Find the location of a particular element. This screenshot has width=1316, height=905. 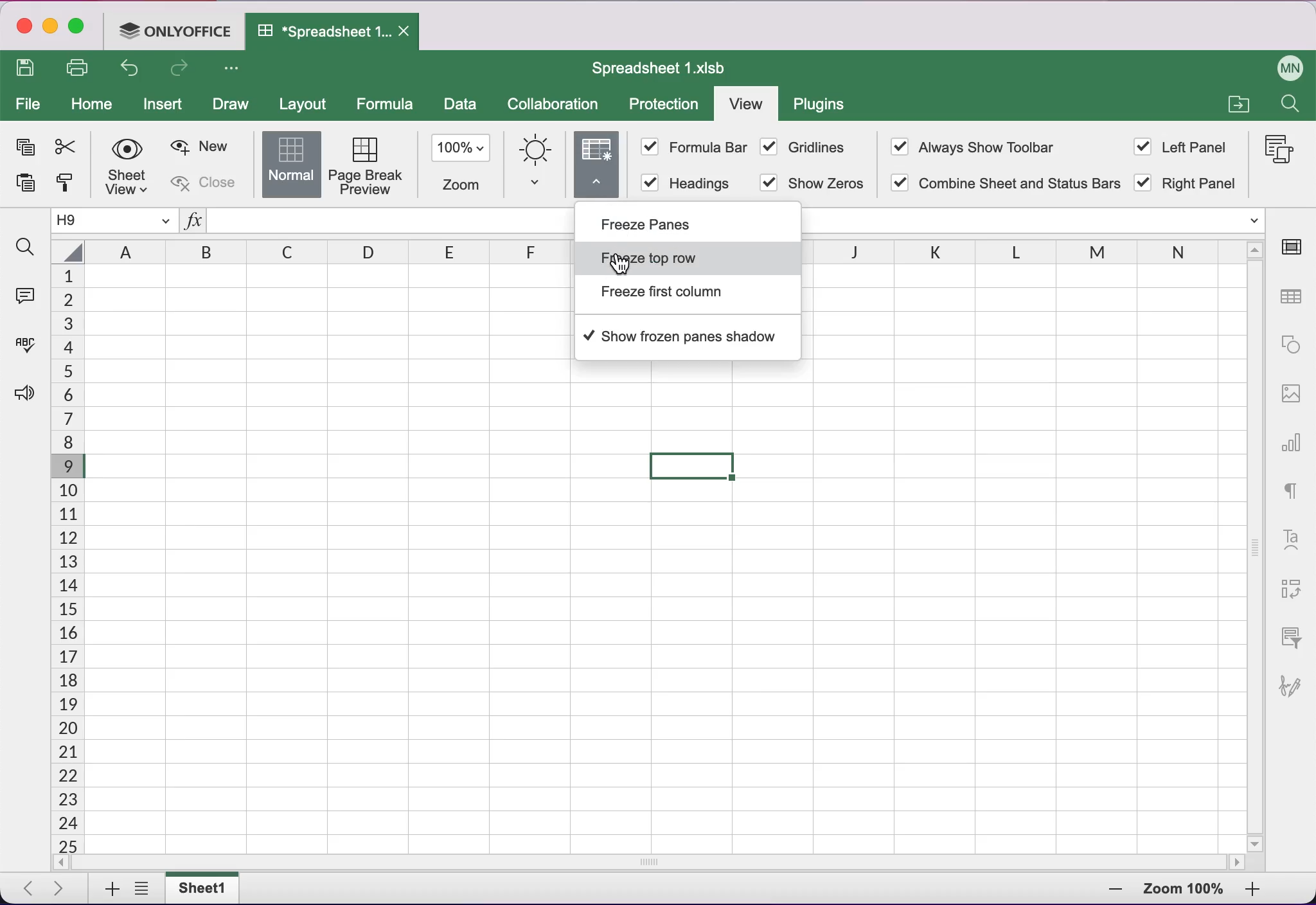

redo is located at coordinates (185, 70).